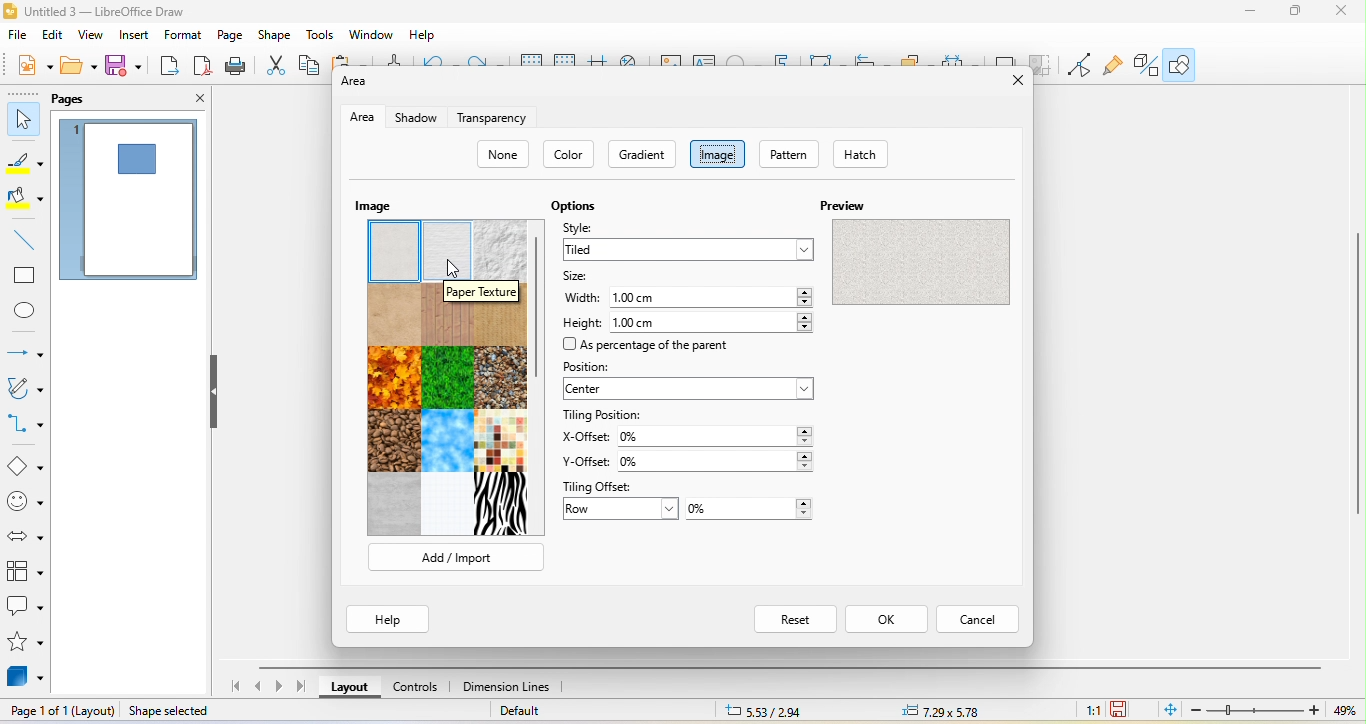 The width and height of the screenshot is (1366, 724). Describe the element at coordinates (26, 200) in the screenshot. I see `fill color` at that location.